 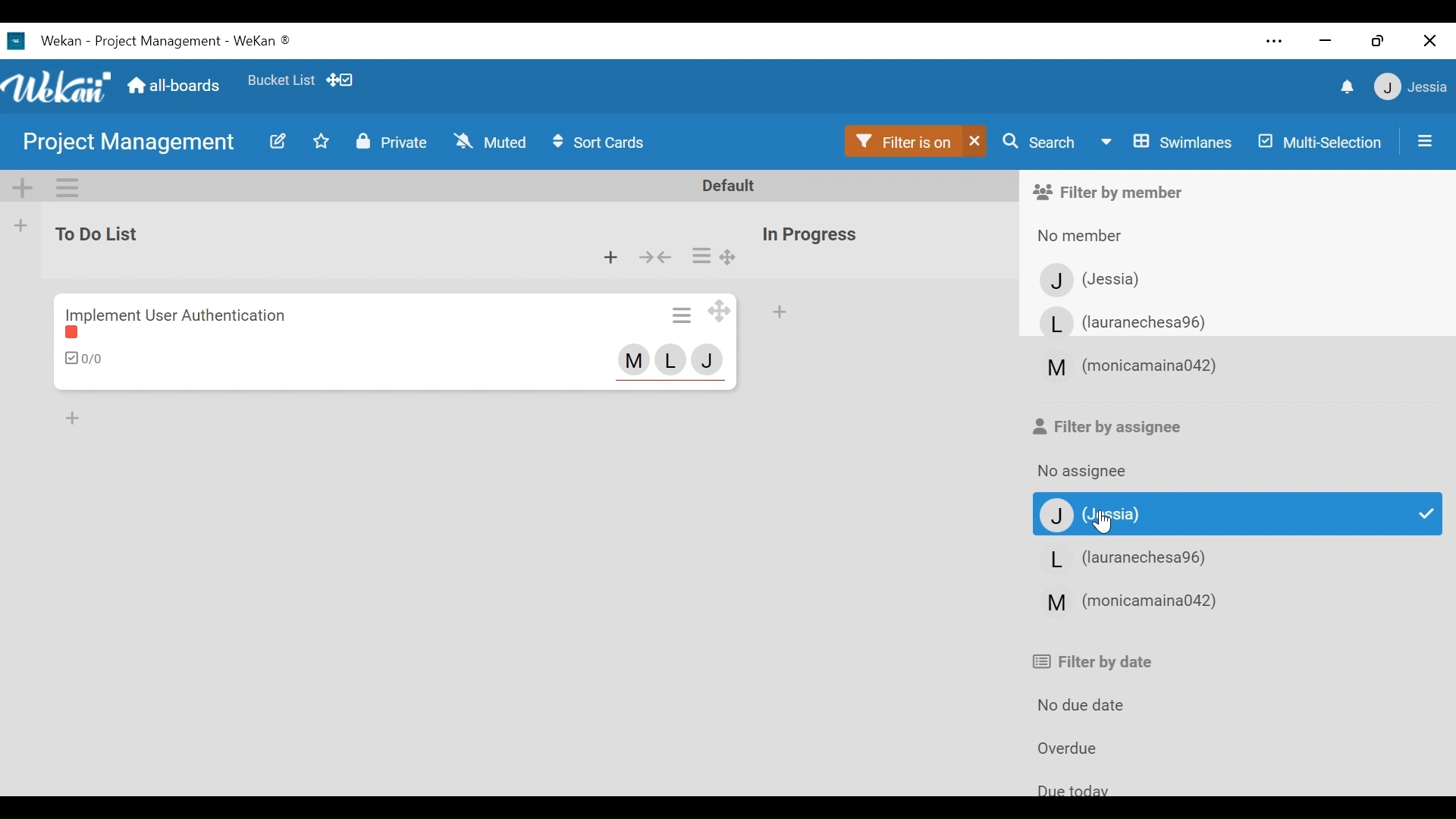 What do you see at coordinates (1090, 789) in the screenshot?
I see `due today` at bounding box center [1090, 789].